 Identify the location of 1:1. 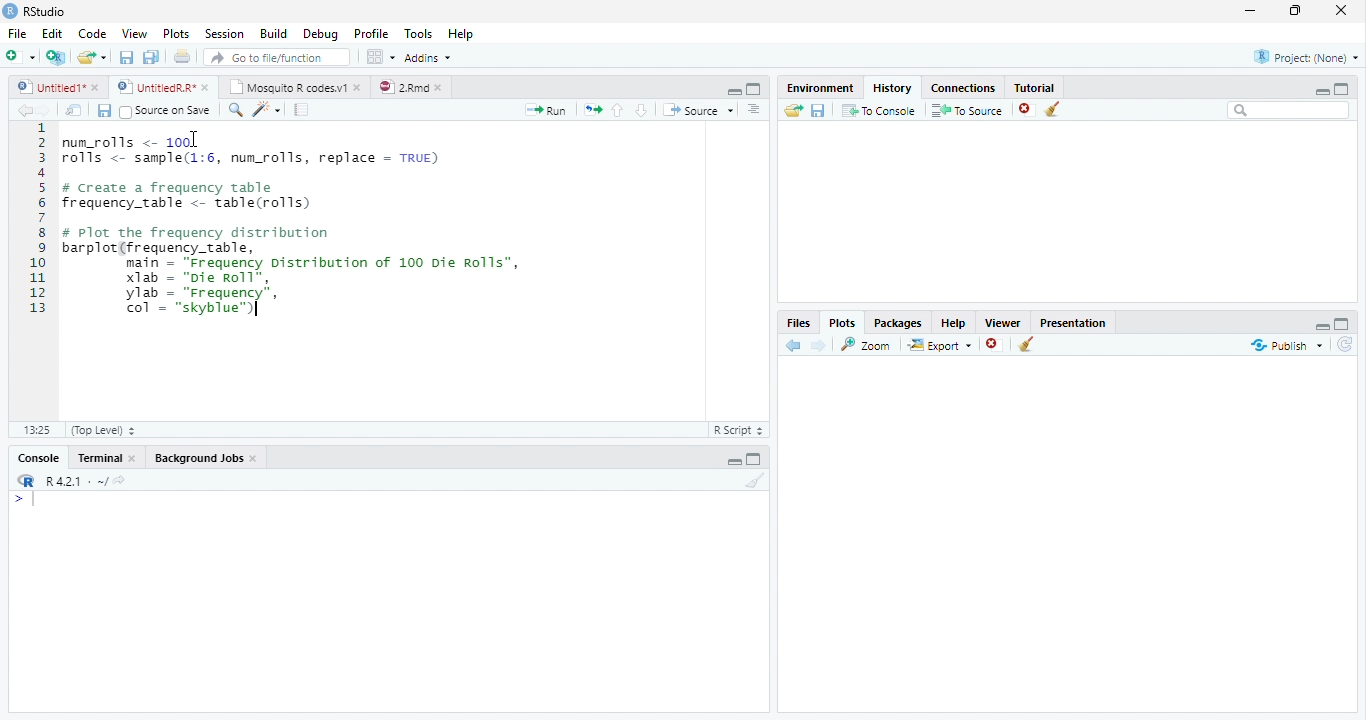
(35, 430).